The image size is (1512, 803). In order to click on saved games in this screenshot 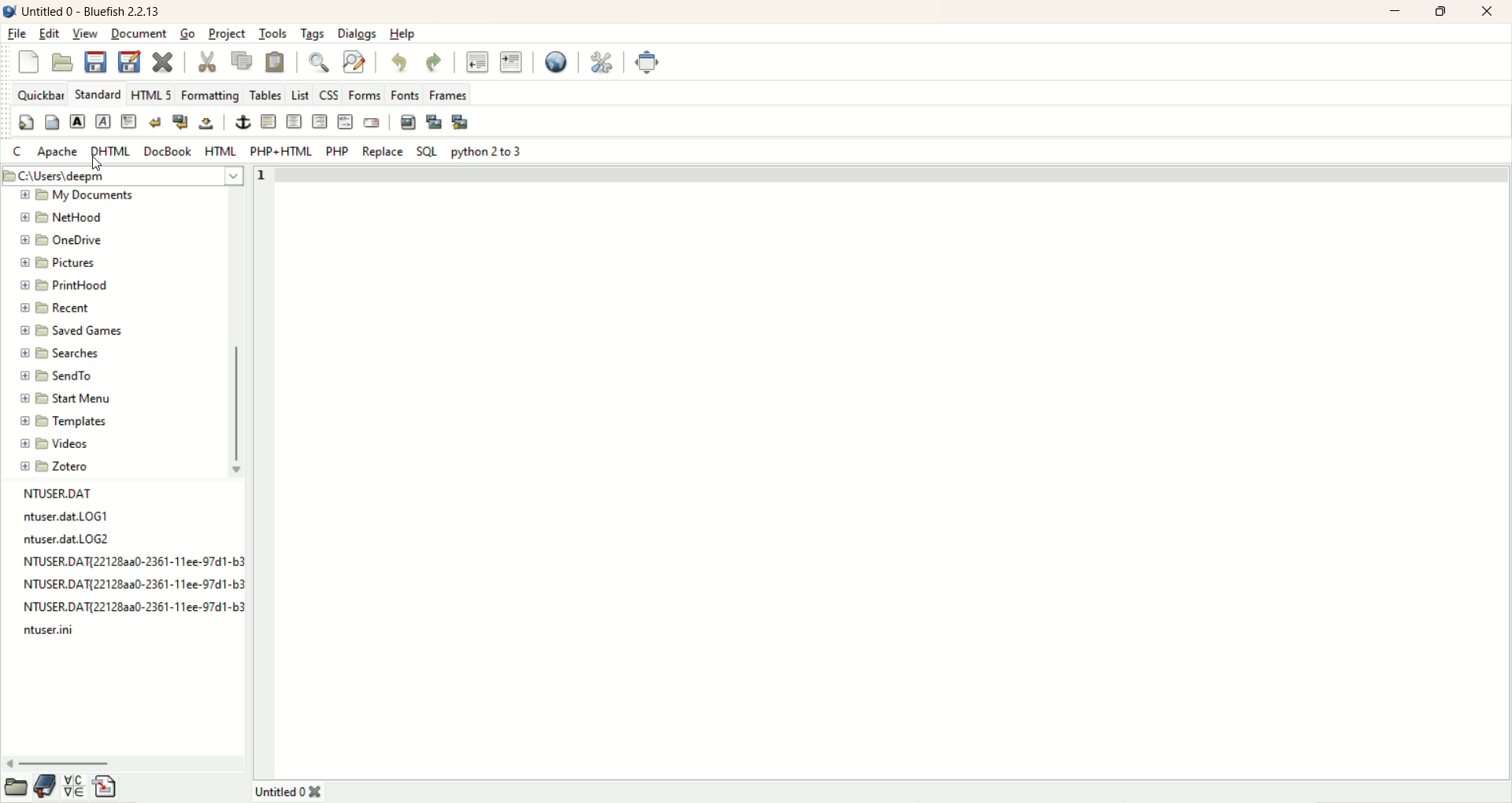, I will do `click(76, 330)`.